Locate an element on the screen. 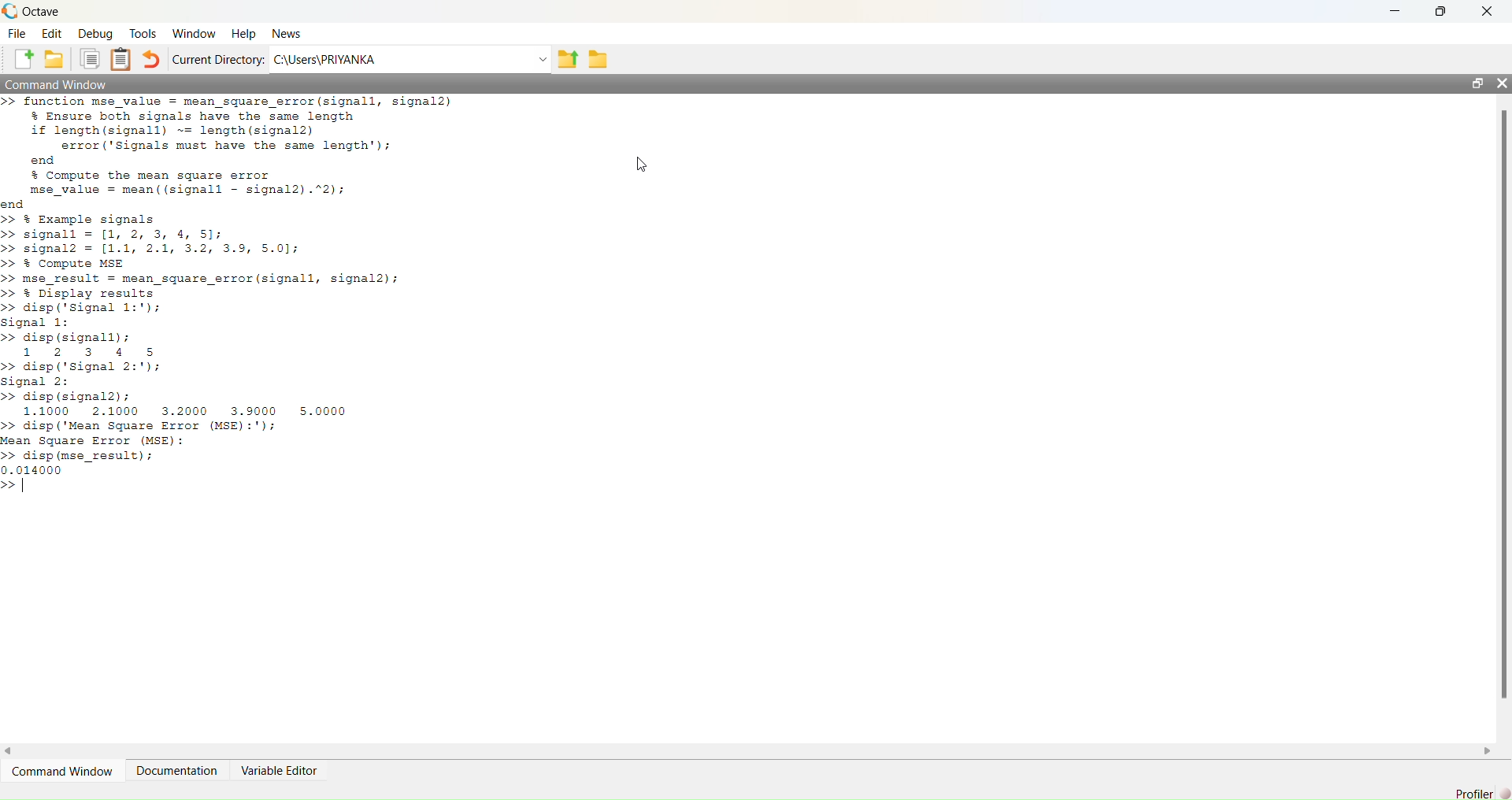 Image resolution: width=1512 pixels, height=800 pixels. Drop-down  is located at coordinates (543, 59).